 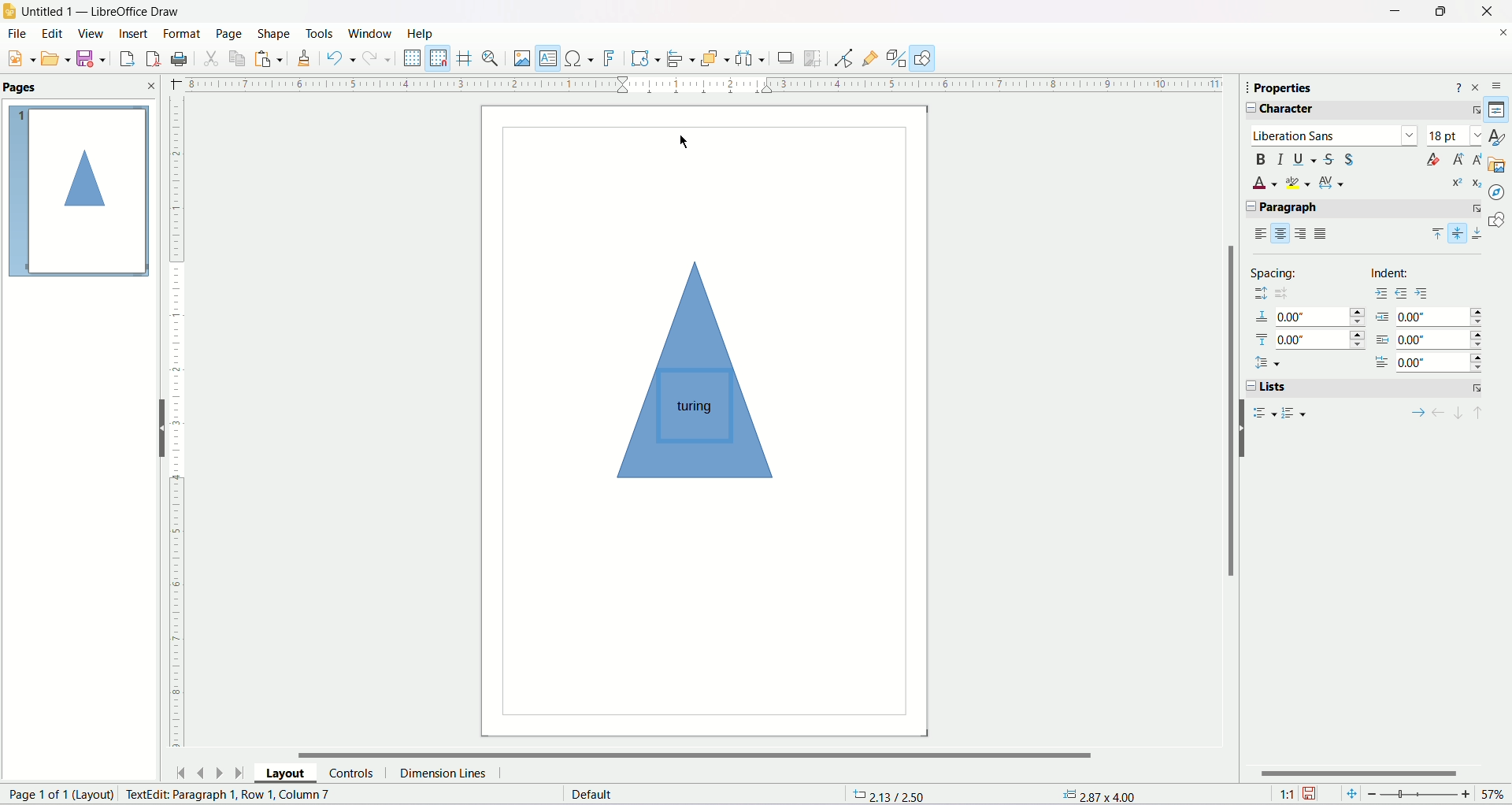 I want to click on Shape, so click(x=274, y=34).